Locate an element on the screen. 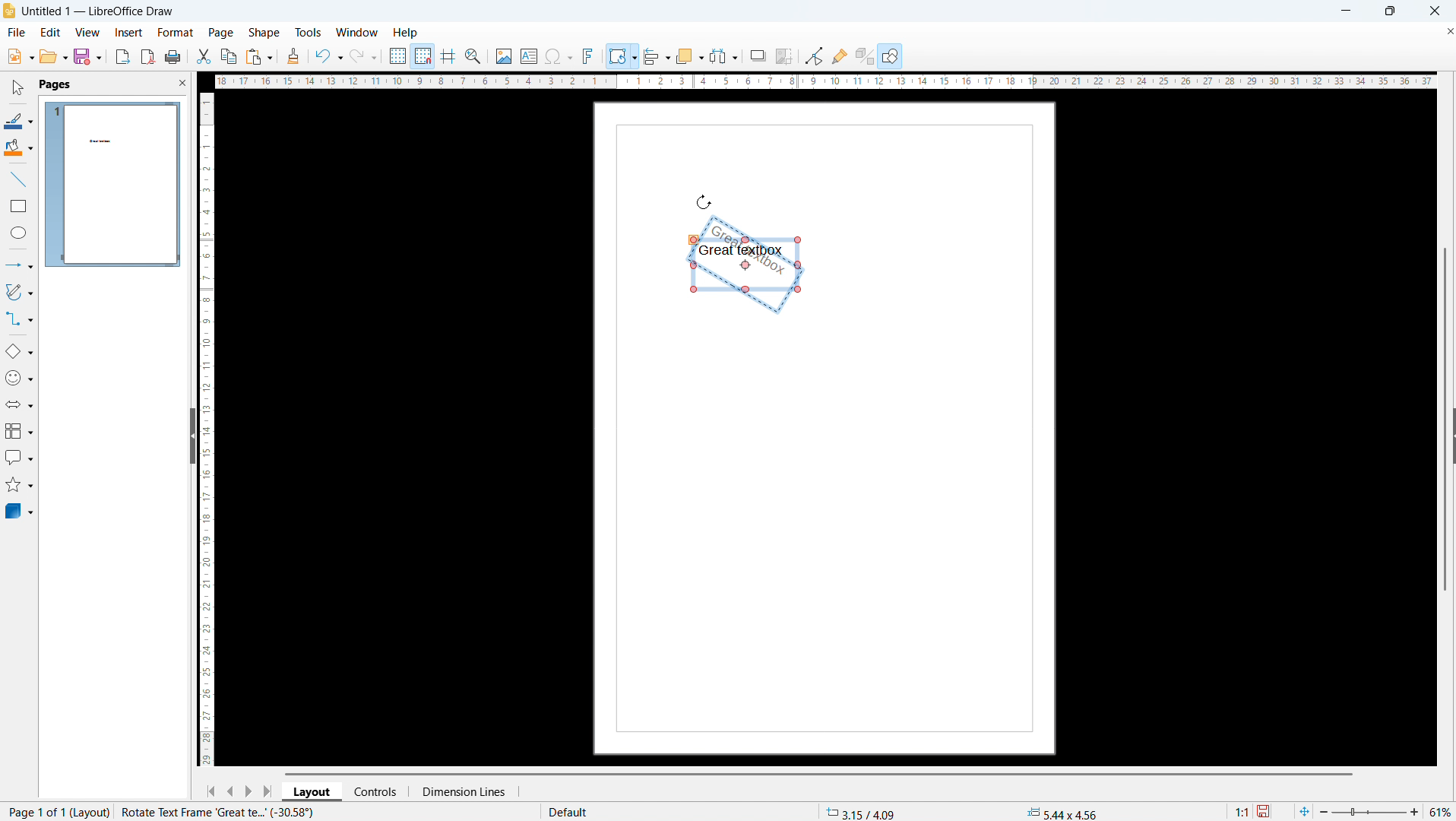  dimension lines is located at coordinates (462, 791).